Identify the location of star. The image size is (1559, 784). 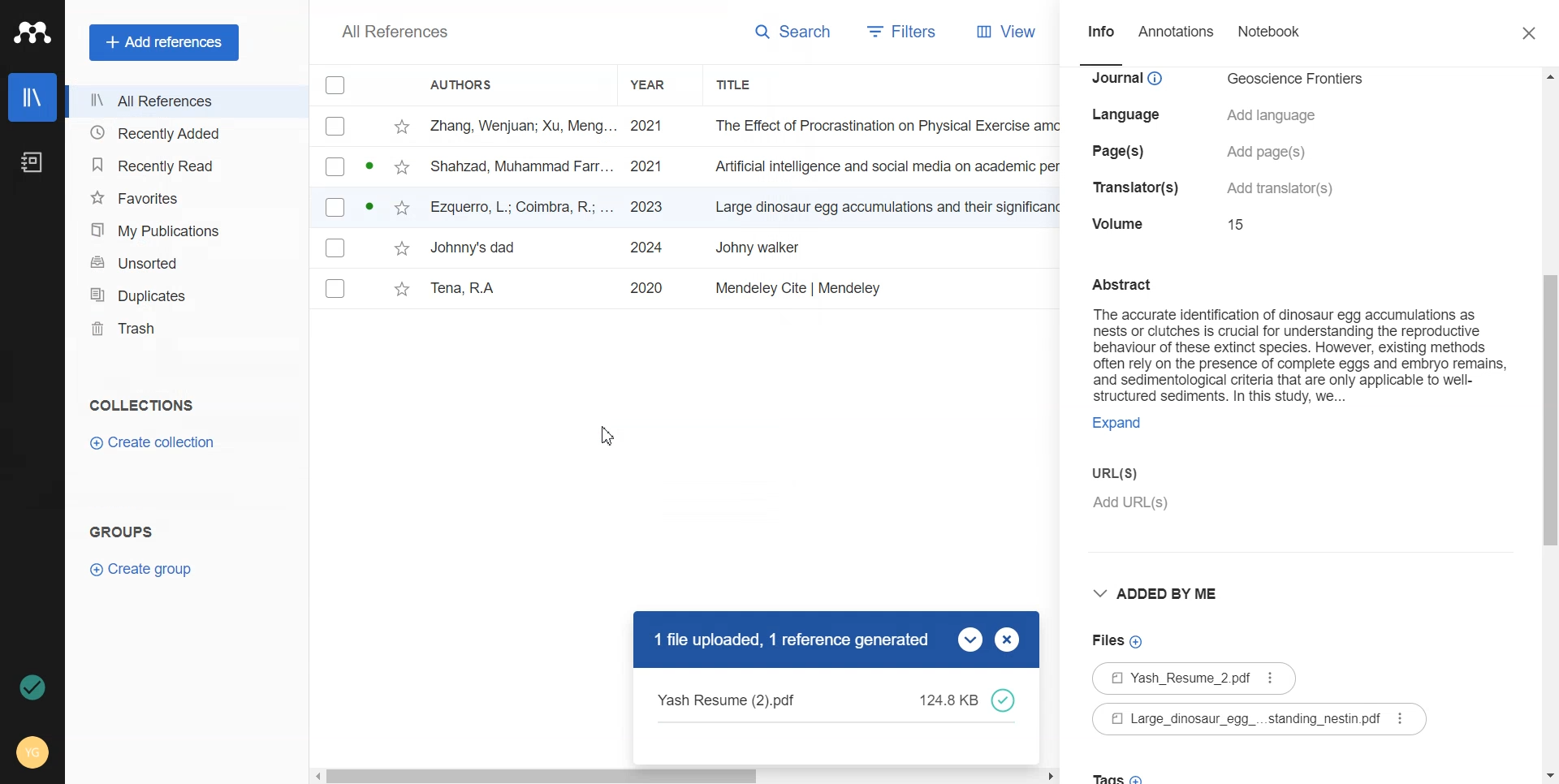
(402, 246).